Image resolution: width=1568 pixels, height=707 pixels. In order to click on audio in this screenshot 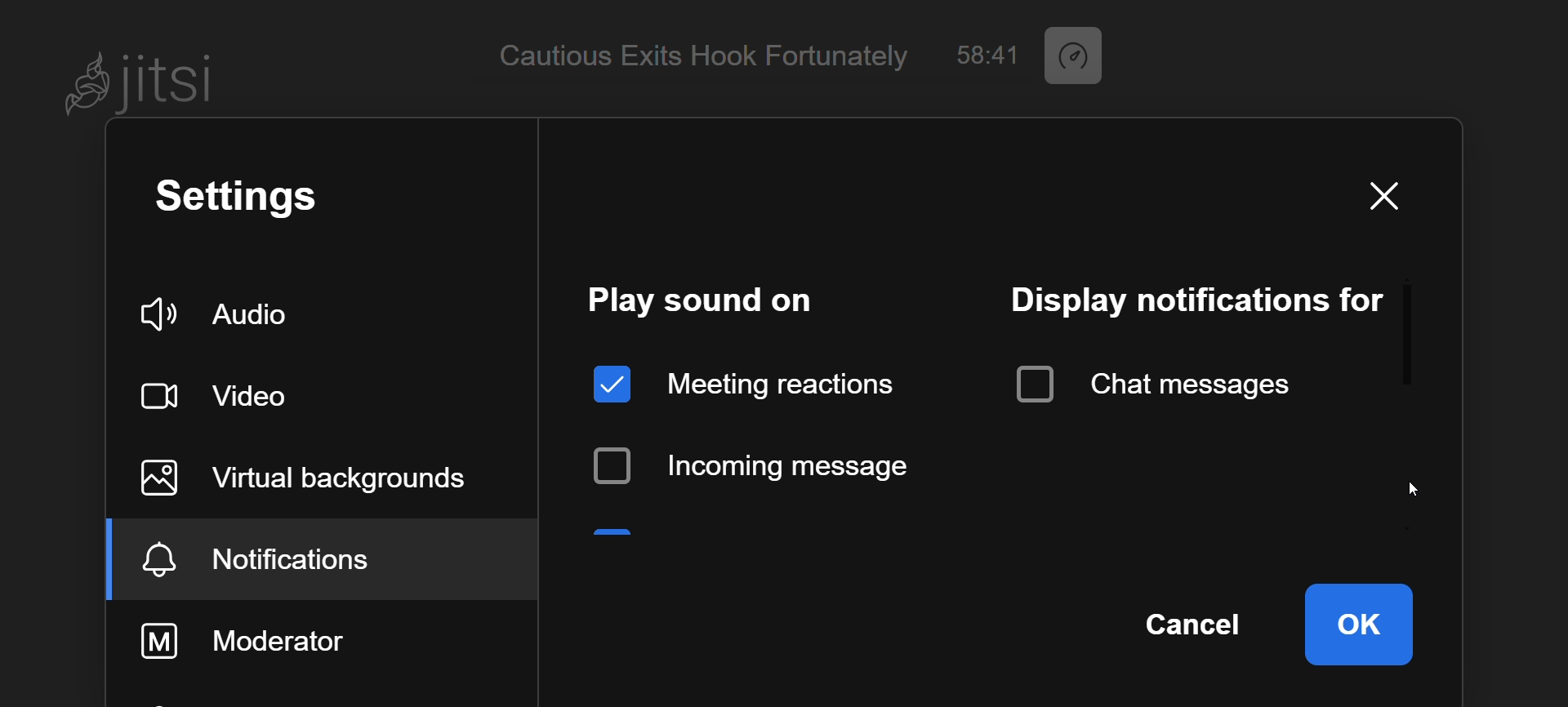, I will do `click(225, 308)`.